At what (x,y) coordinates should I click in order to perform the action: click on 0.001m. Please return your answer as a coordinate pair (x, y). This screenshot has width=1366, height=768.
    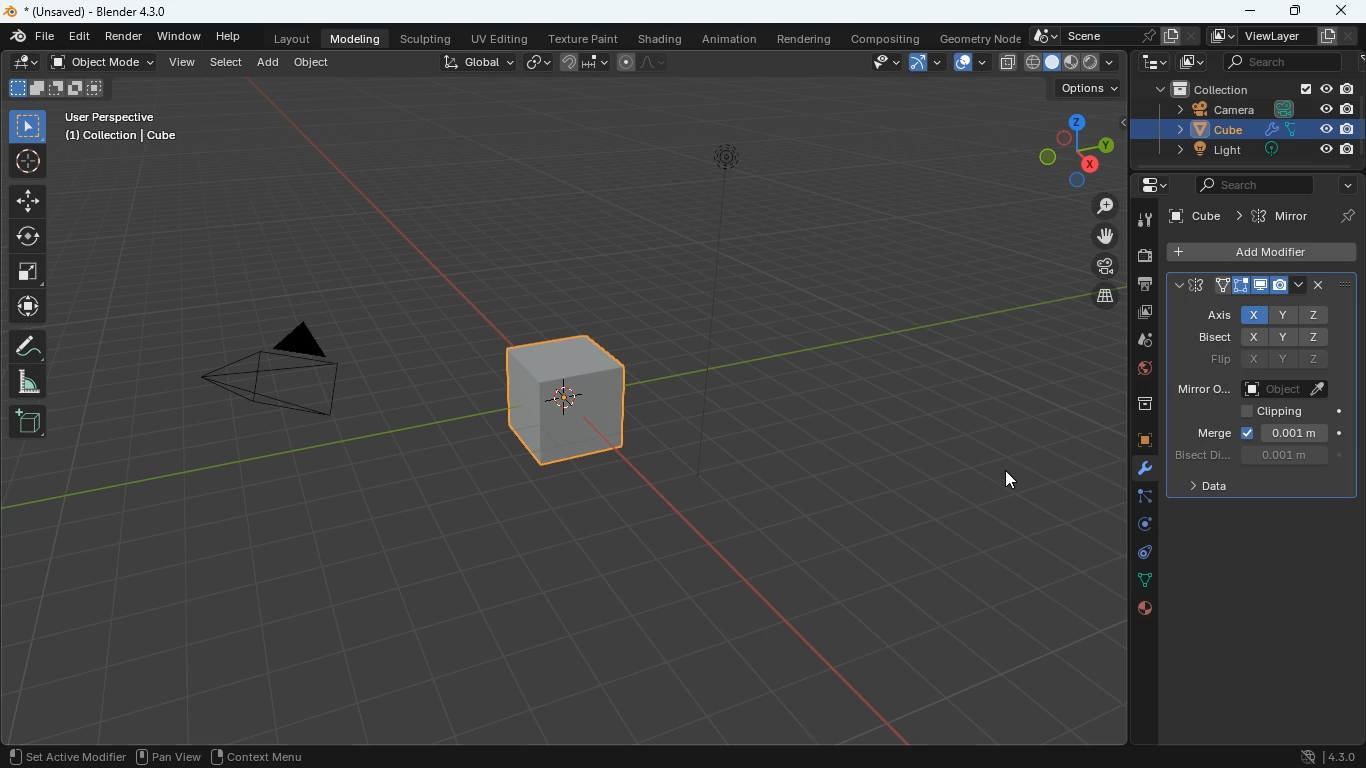
    Looking at the image, I should click on (1296, 455).